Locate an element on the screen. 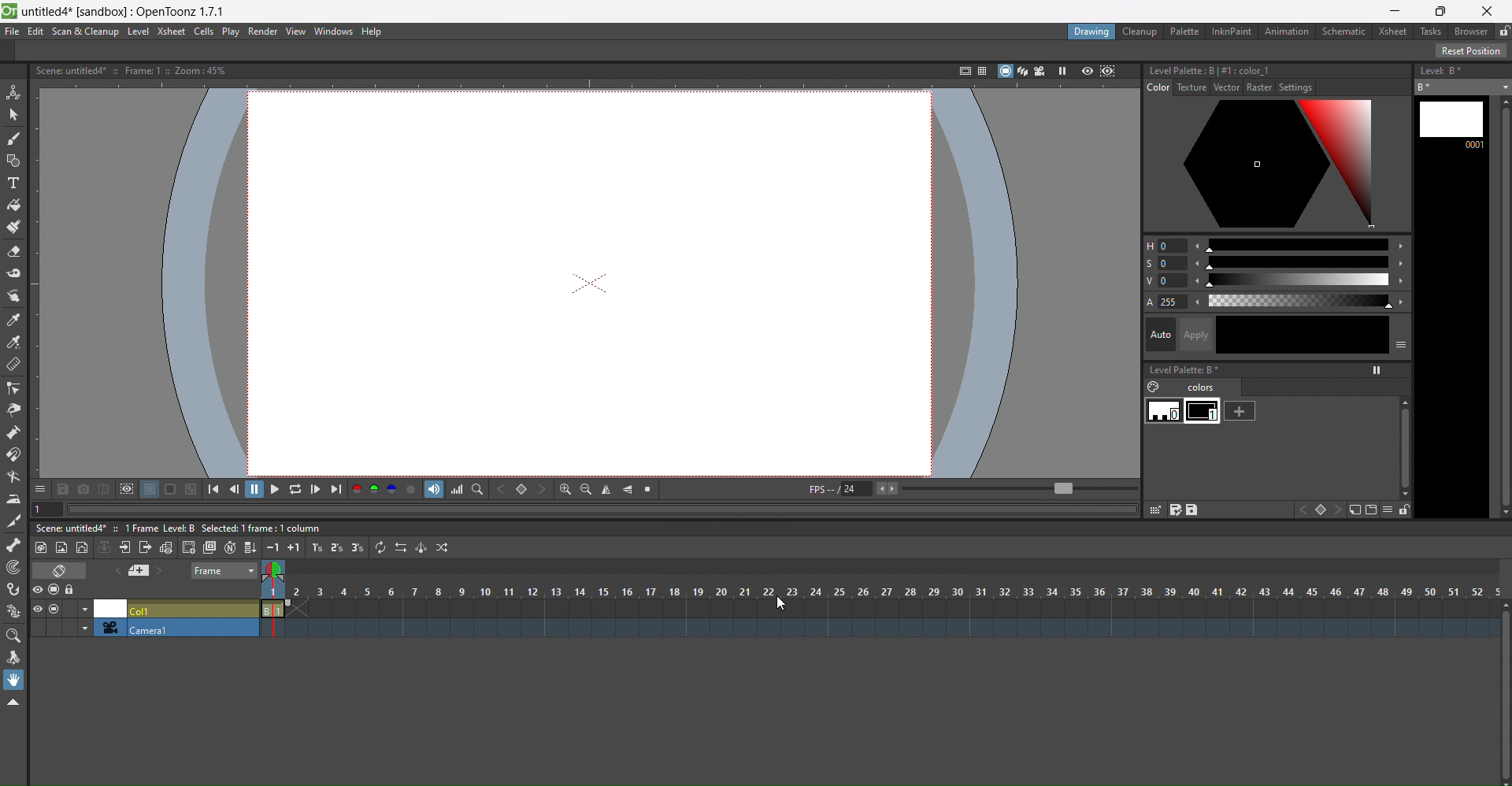 Image resolution: width=1512 pixels, height=786 pixels. S is located at coordinates (1147, 263).